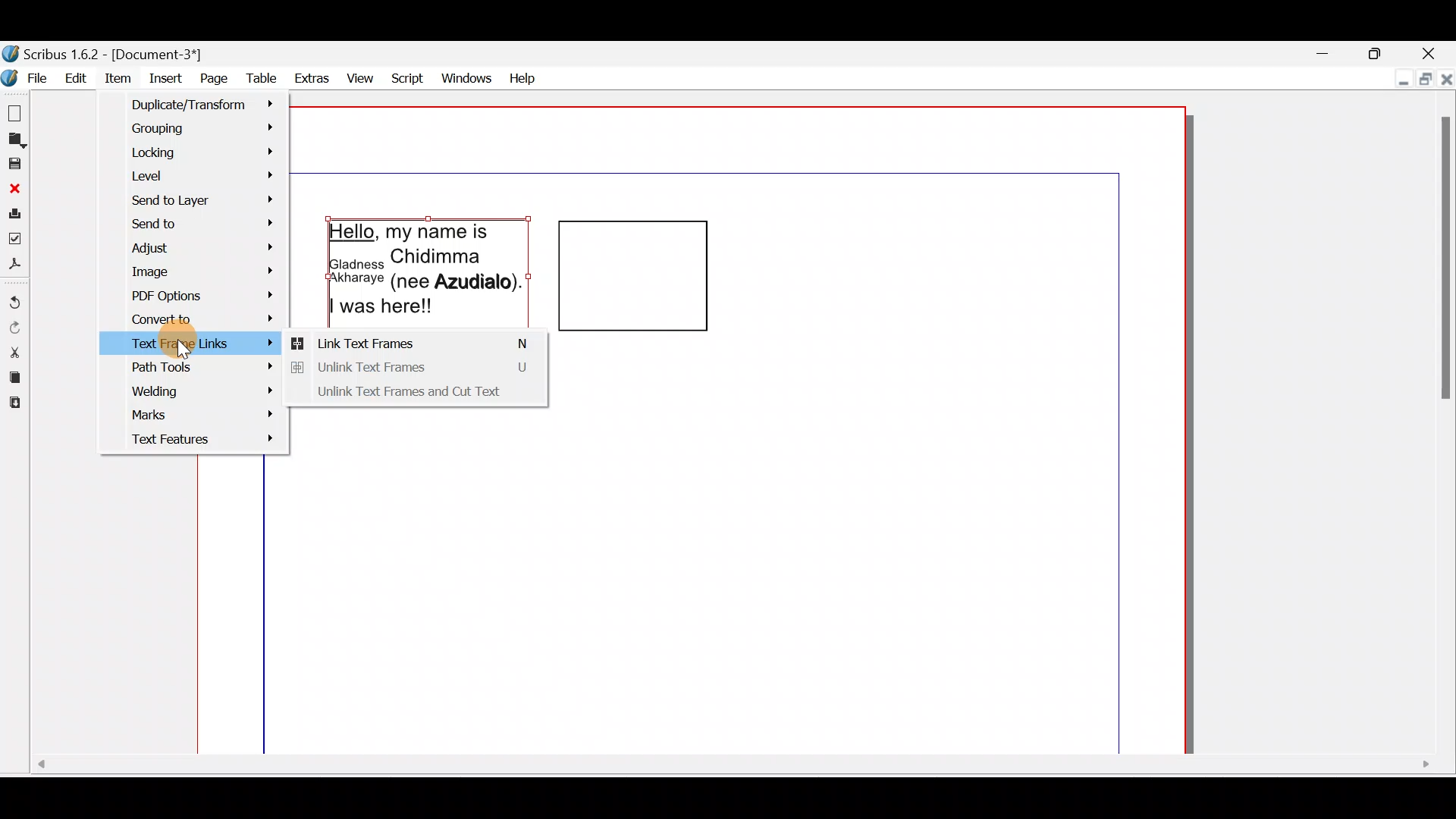  I want to click on Unlink text frames and cut text, so click(421, 396).